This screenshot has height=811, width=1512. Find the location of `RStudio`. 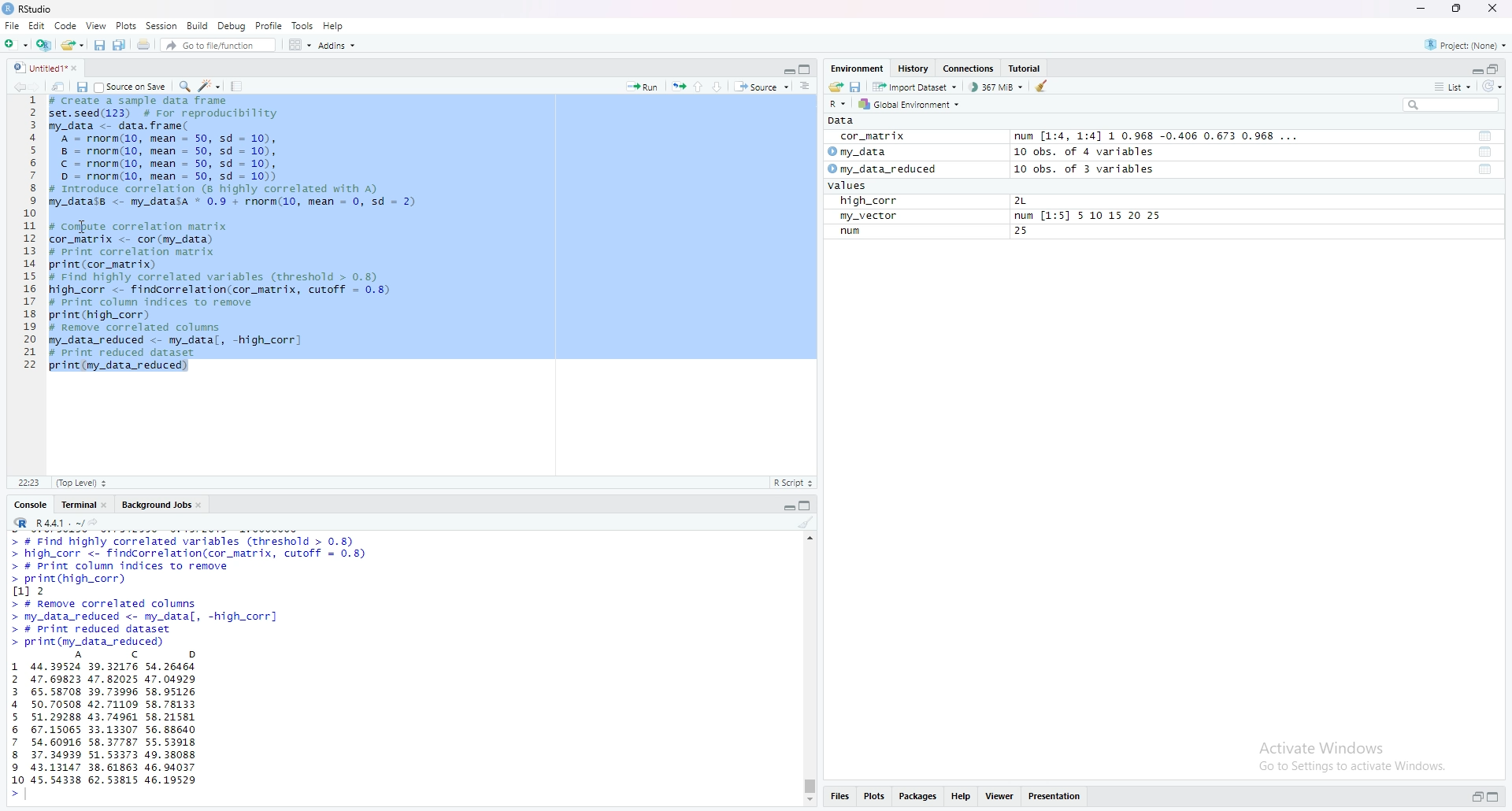

RStudio is located at coordinates (38, 9).